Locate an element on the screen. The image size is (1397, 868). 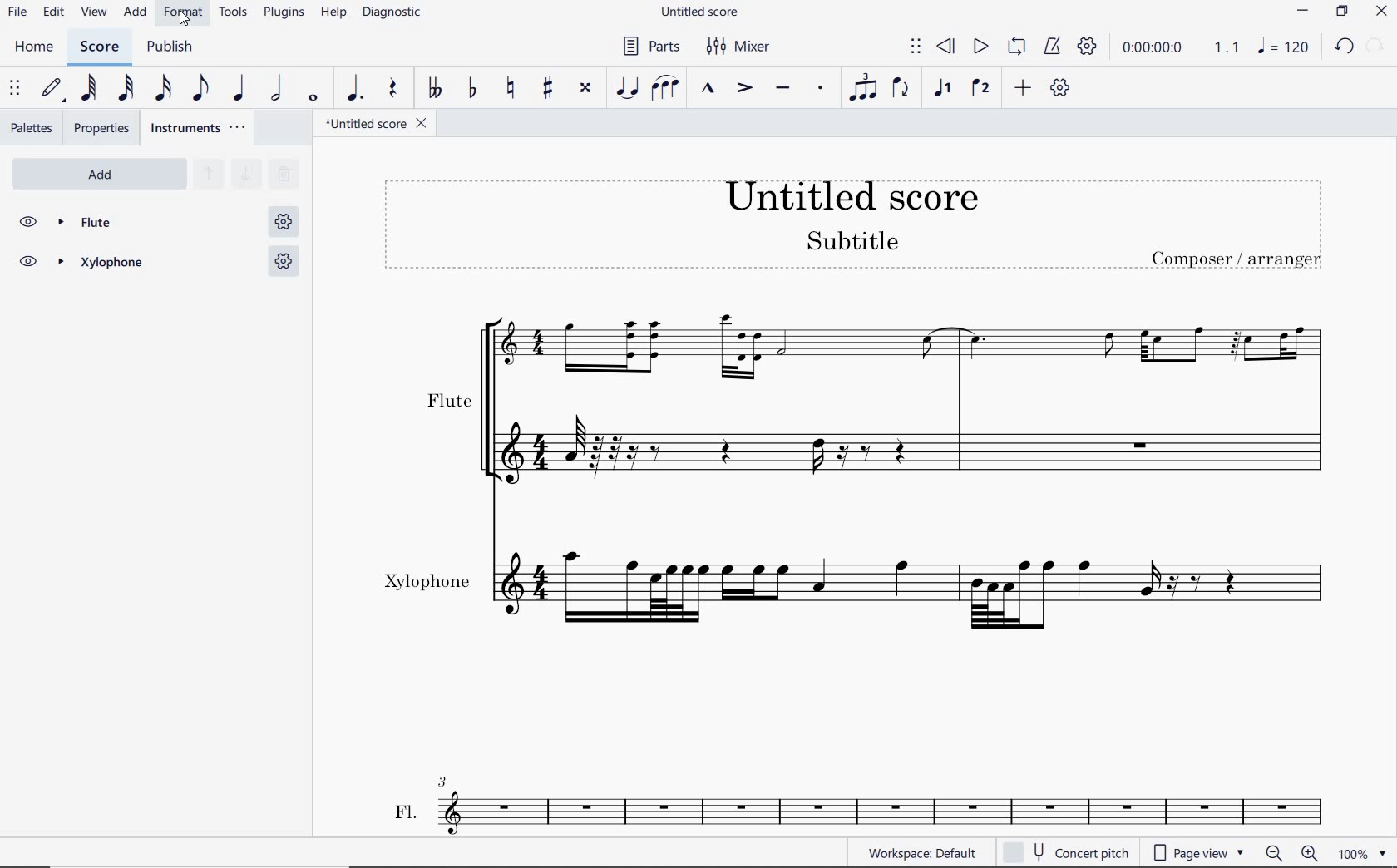
SELECT TO MOVE is located at coordinates (15, 89).